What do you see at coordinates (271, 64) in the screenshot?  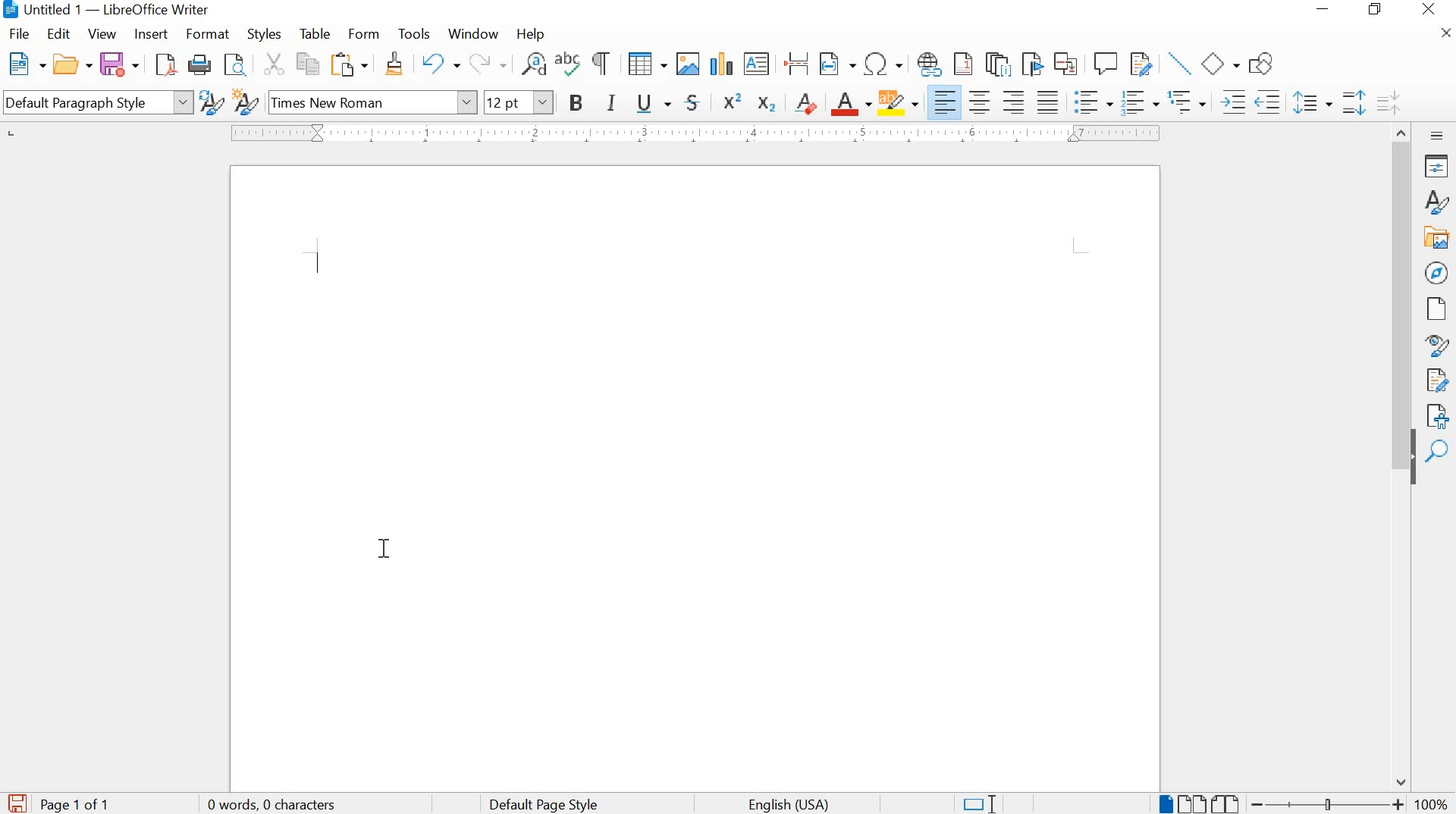 I see `CUT` at bounding box center [271, 64].